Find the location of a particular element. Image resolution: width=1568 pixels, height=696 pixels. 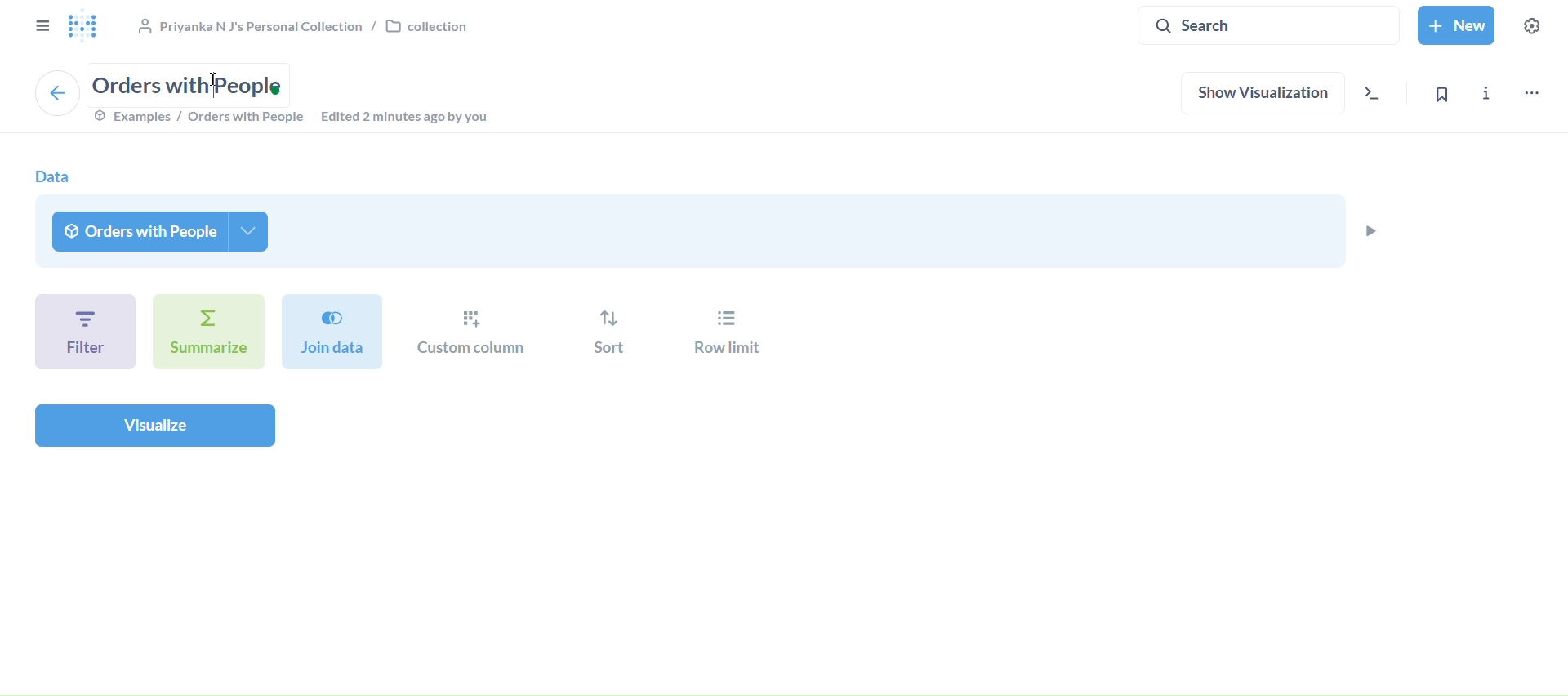

examples/orders with prople  is located at coordinates (198, 118).